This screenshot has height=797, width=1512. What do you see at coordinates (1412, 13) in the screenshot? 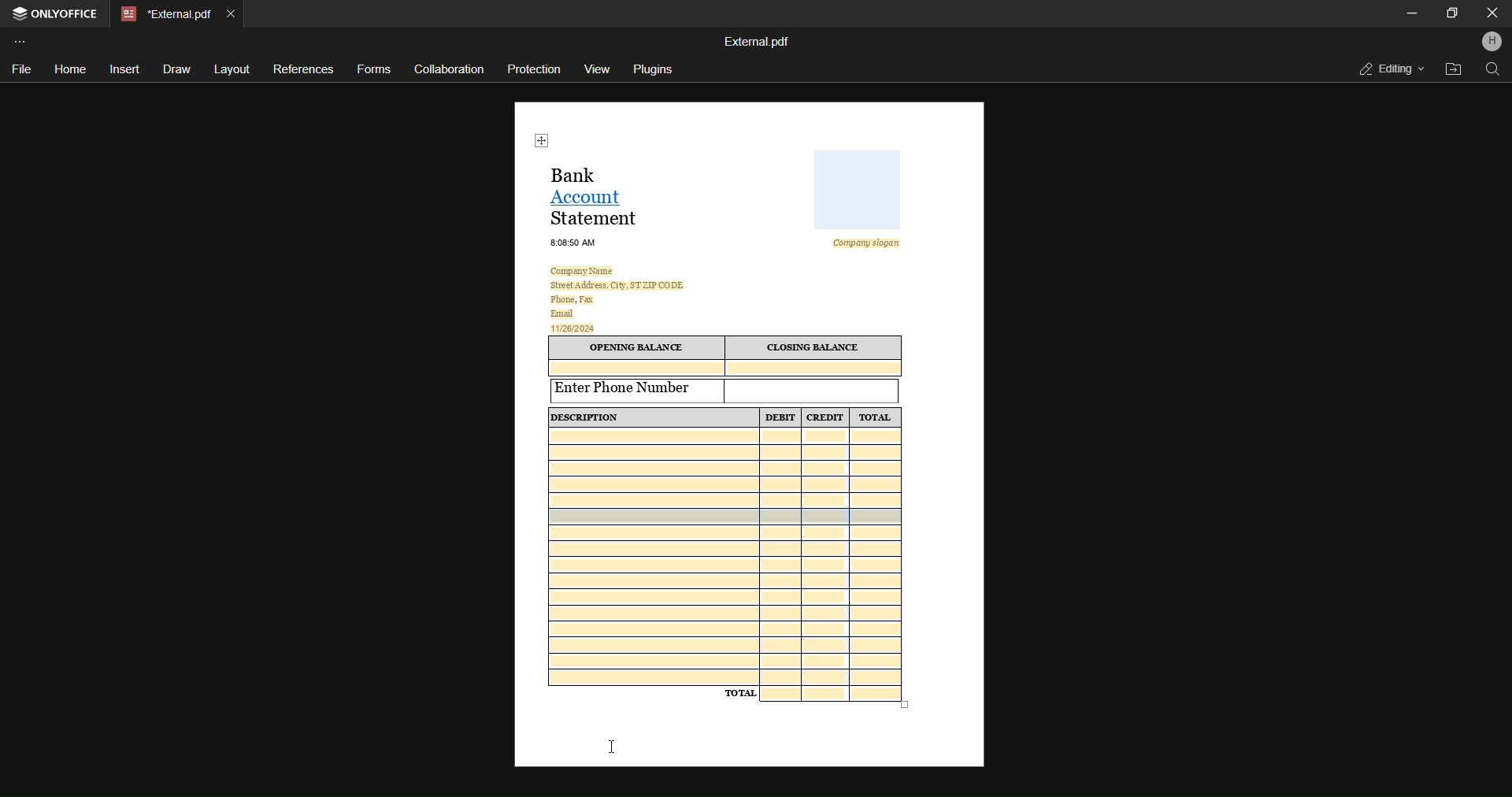
I see `minimize` at bounding box center [1412, 13].